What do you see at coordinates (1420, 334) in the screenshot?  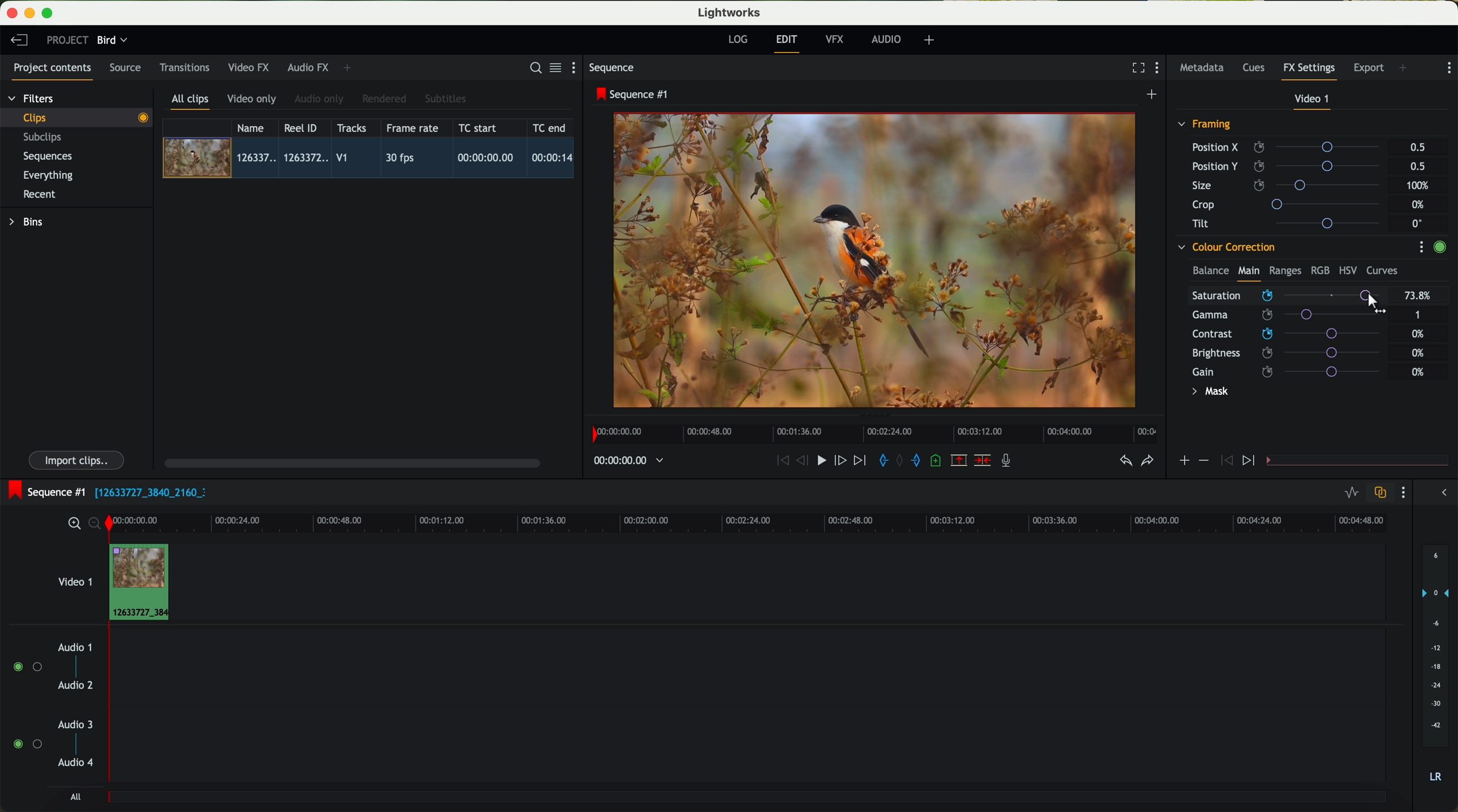 I see `0%` at bounding box center [1420, 334].